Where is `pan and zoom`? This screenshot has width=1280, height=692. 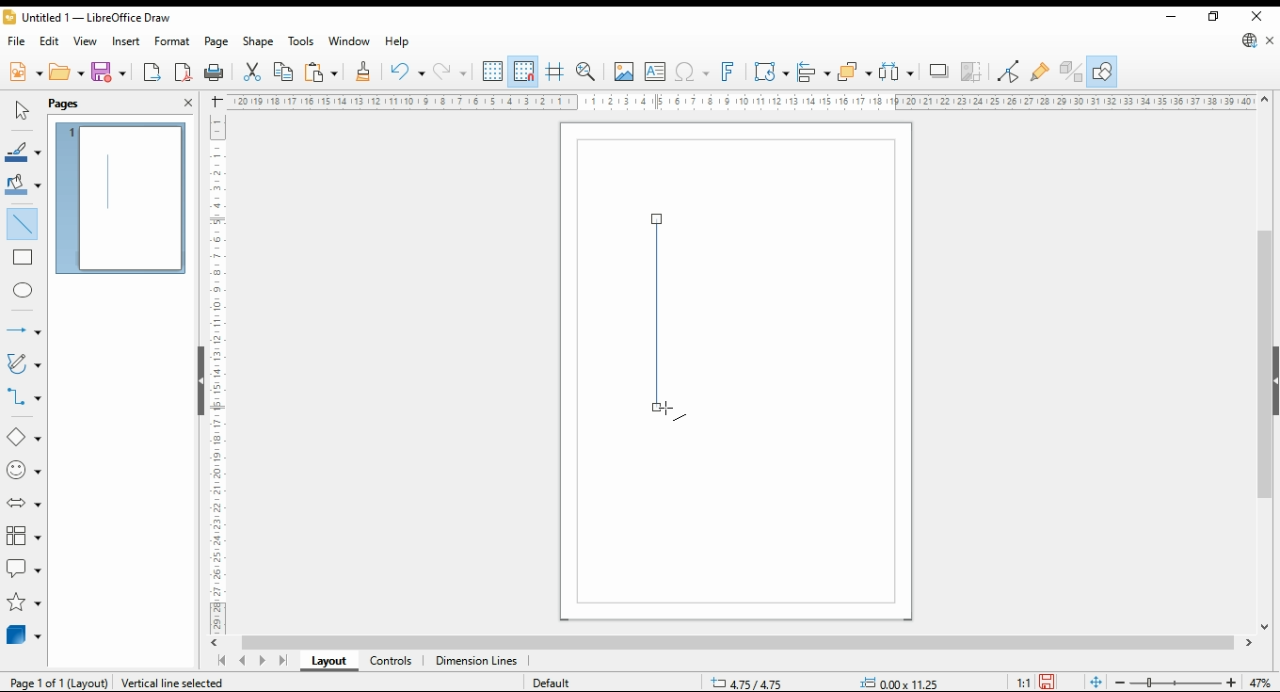
pan and zoom is located at coordinates (588, 71).